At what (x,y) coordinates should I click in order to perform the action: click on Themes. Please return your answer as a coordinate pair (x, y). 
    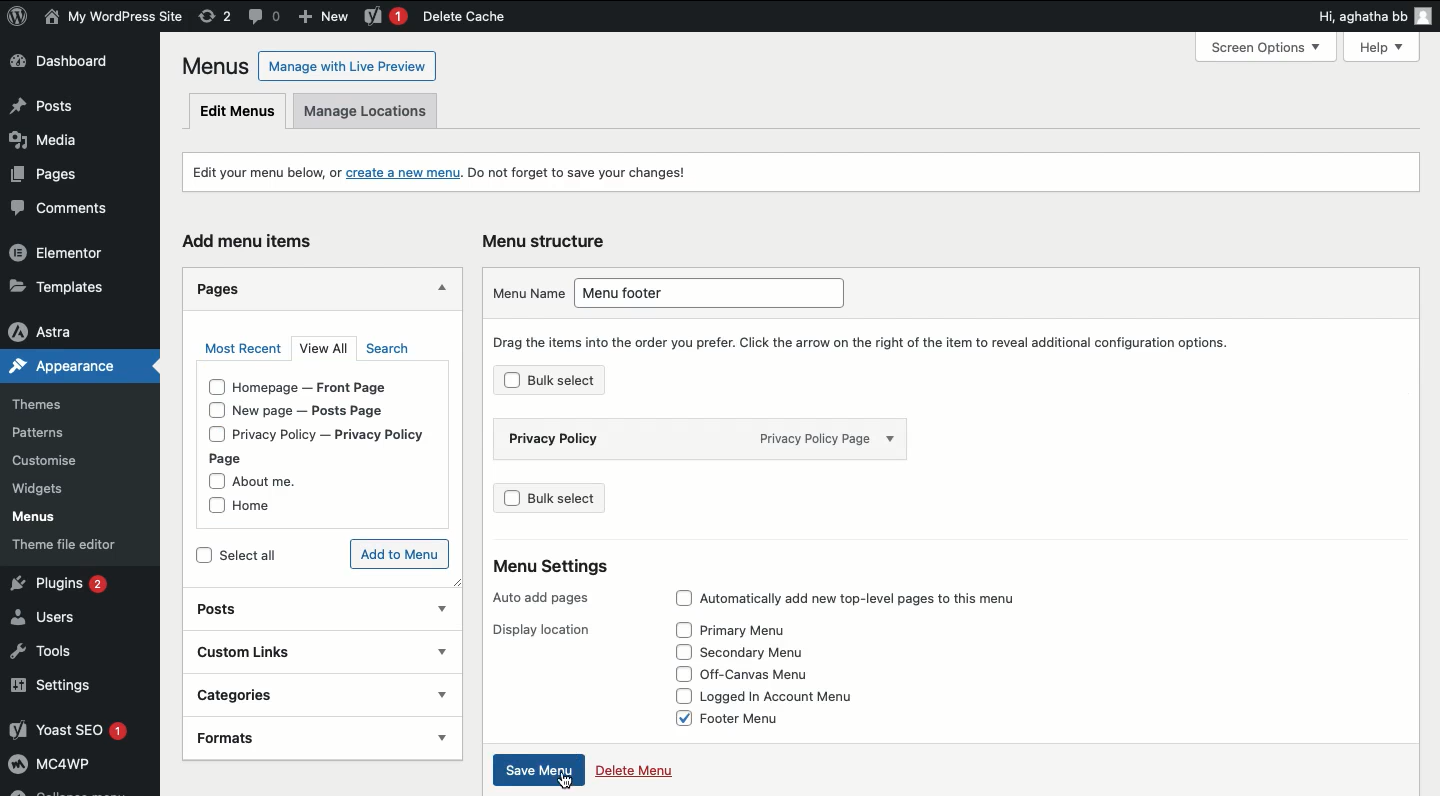
    Looking at the image, I should click on (50, 401).